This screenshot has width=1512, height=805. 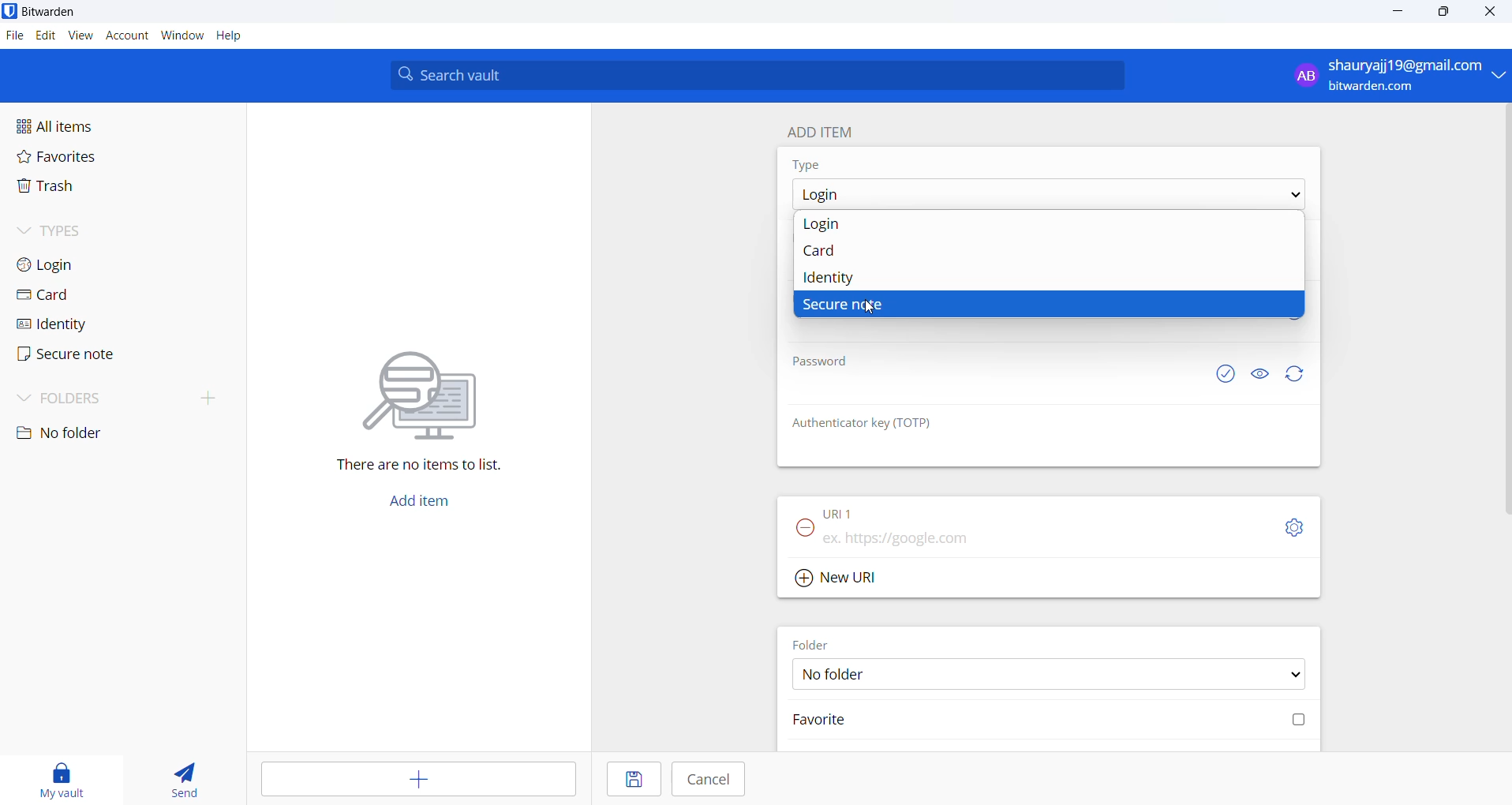 What do you see at coordinates (1495, 12) in the screenshot?
I see `close` at bounding box center [1495, 12].